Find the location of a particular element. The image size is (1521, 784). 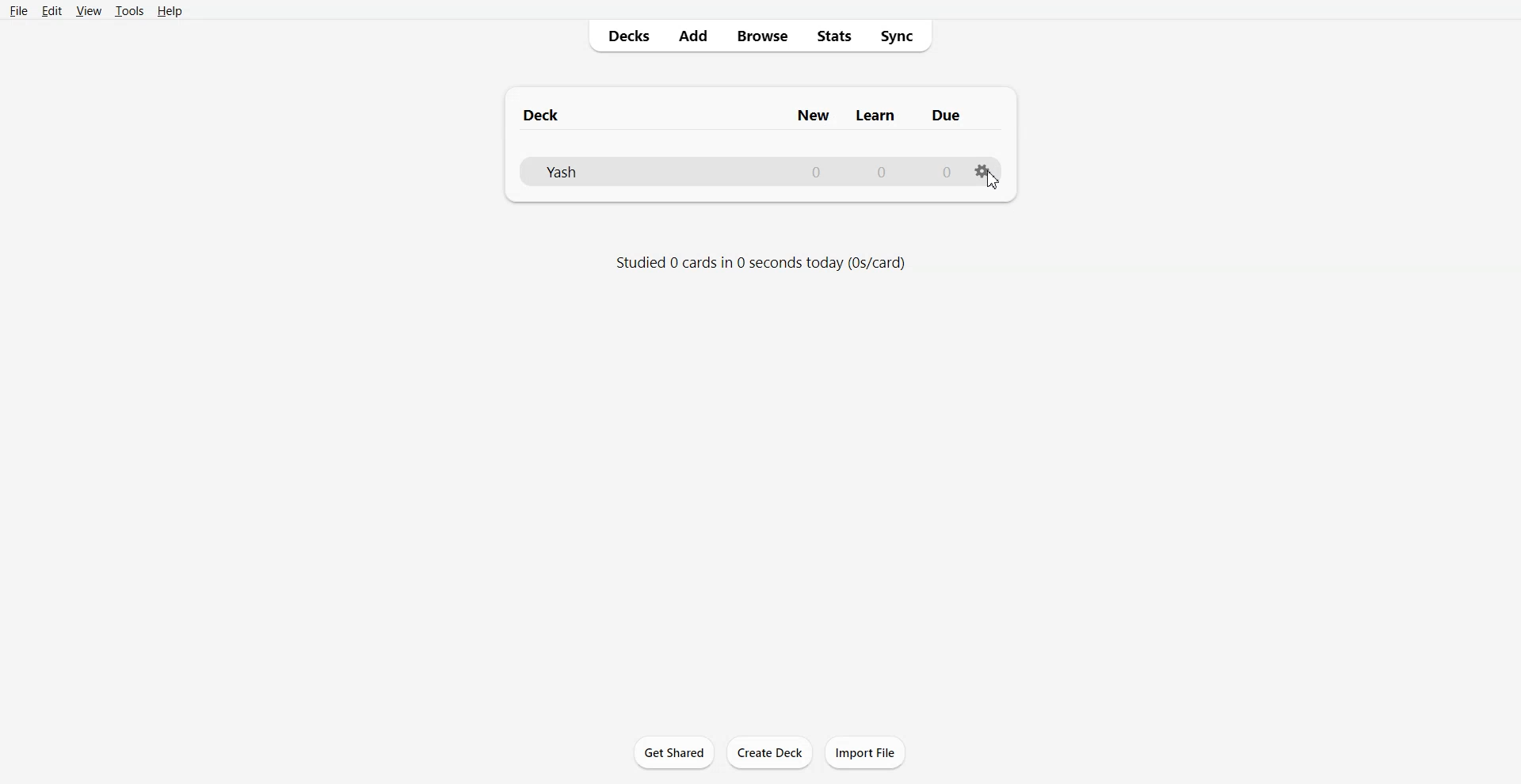

Sync is located at coordinates (898, 35).